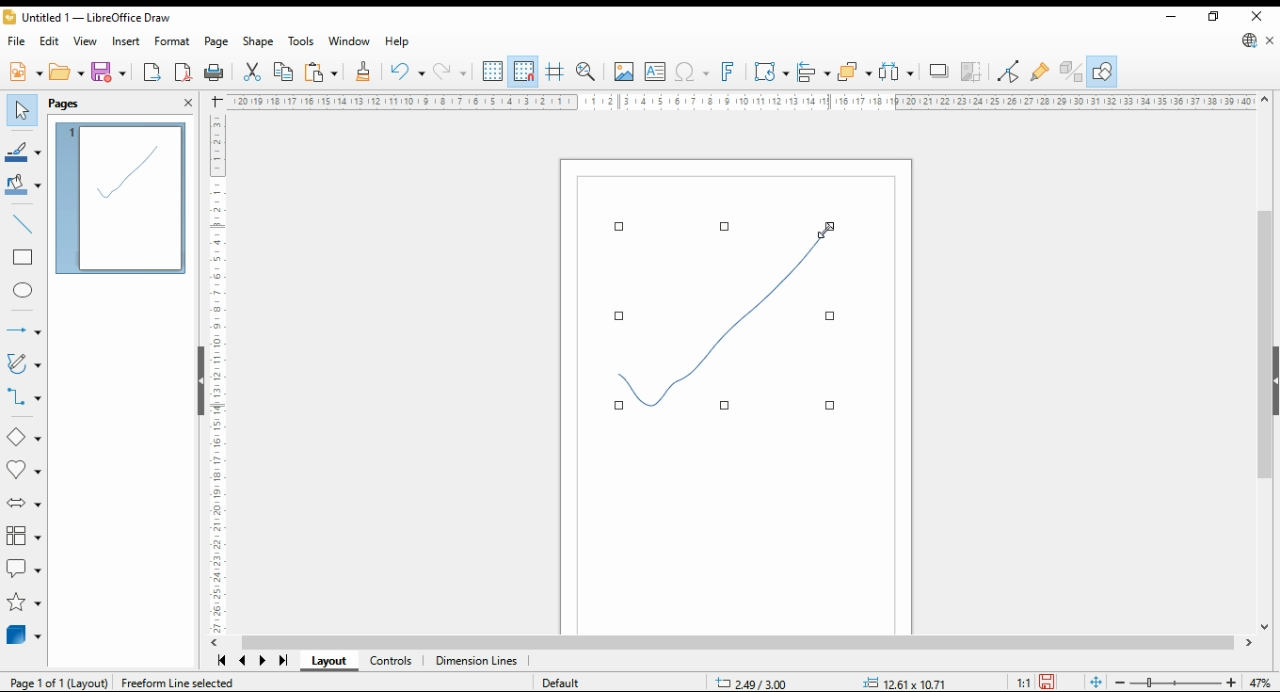 The width and height of the screenshot is (1280, 692). Describe the element at coordinates (758, 684) in the screenshot. I see `-20.82/7.89` at that location.